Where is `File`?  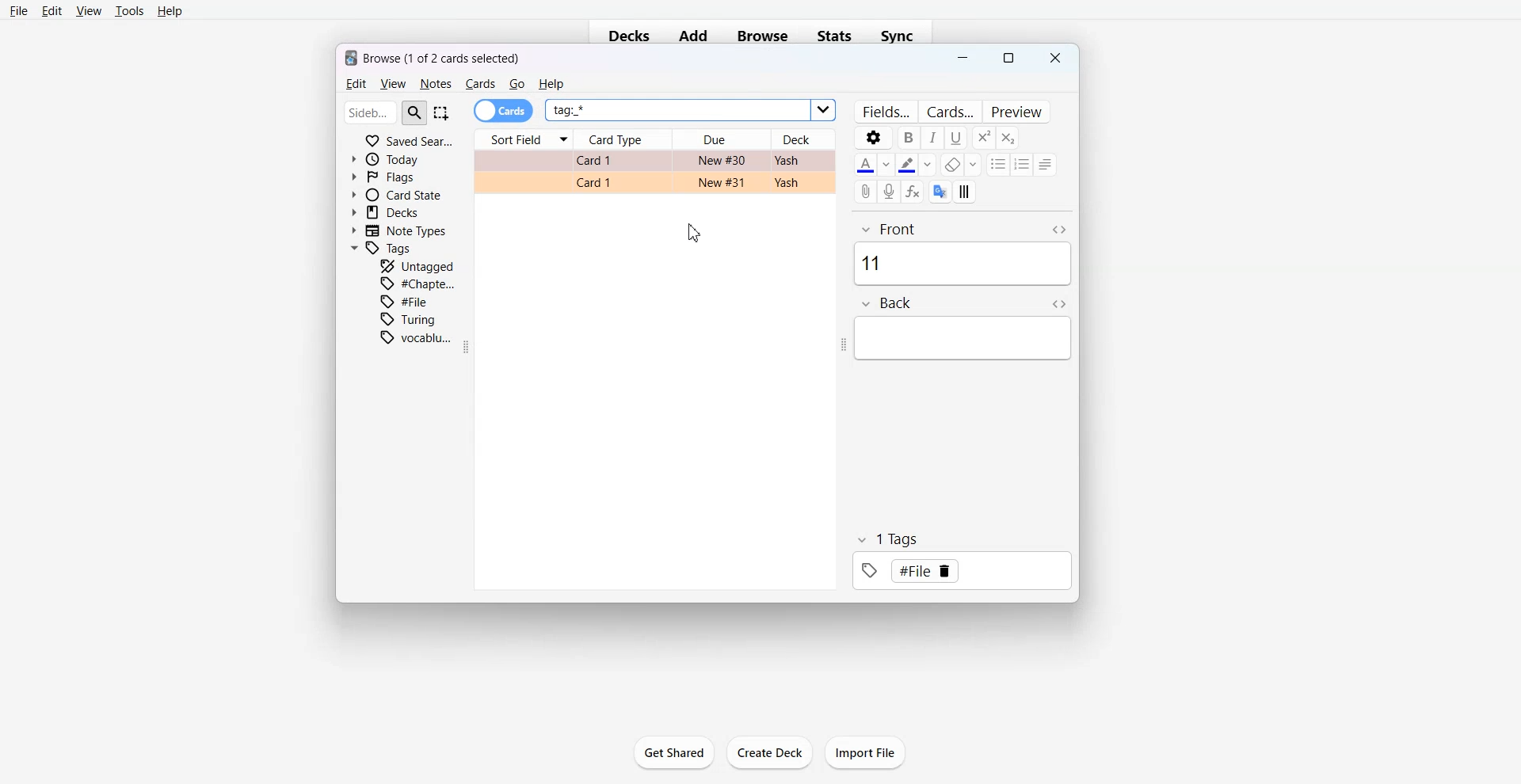
File is located at coordinates (925, 571).